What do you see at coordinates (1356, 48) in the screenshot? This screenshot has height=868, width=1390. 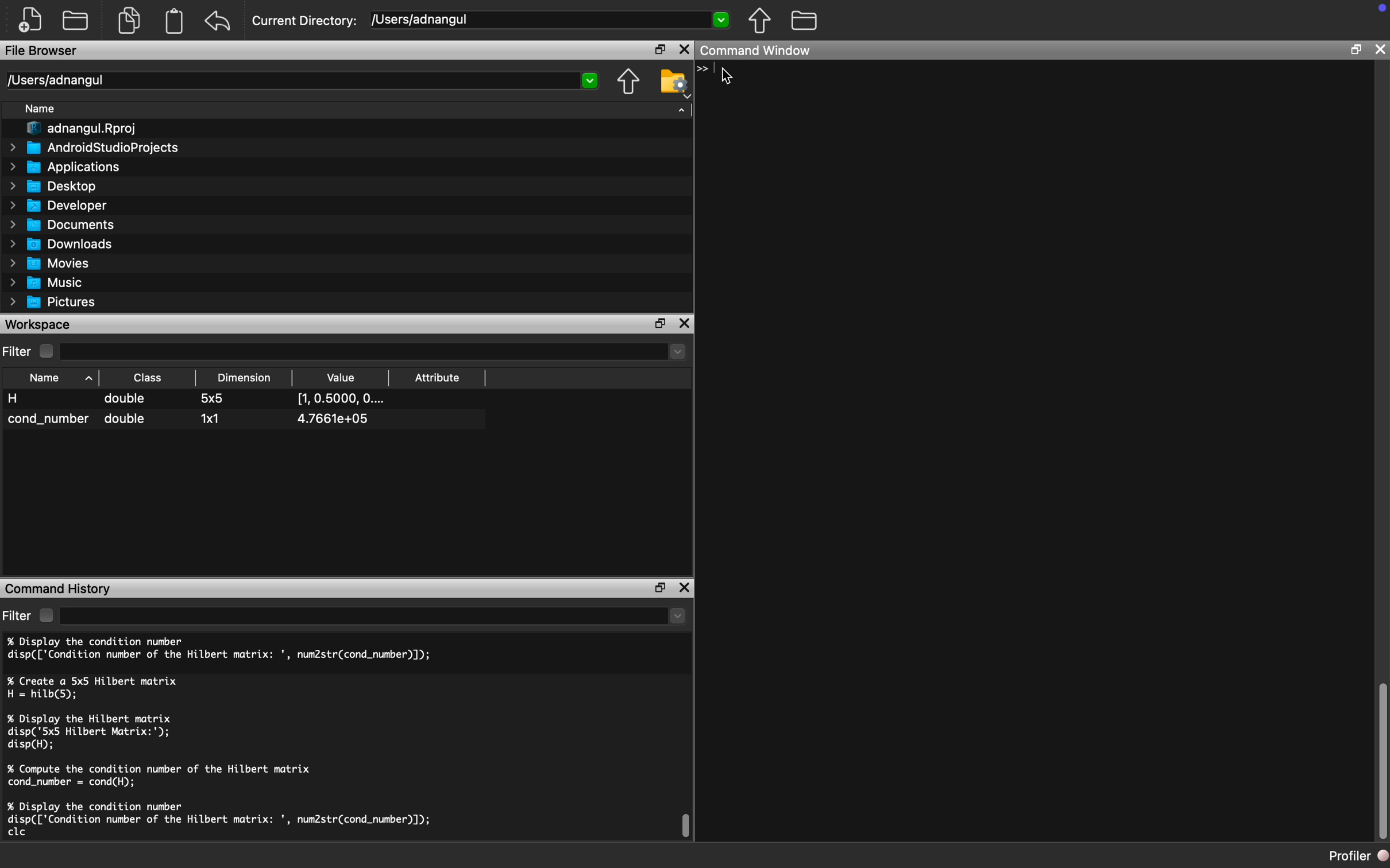 I see `Restore Down` at bounding box center [1356, 48].